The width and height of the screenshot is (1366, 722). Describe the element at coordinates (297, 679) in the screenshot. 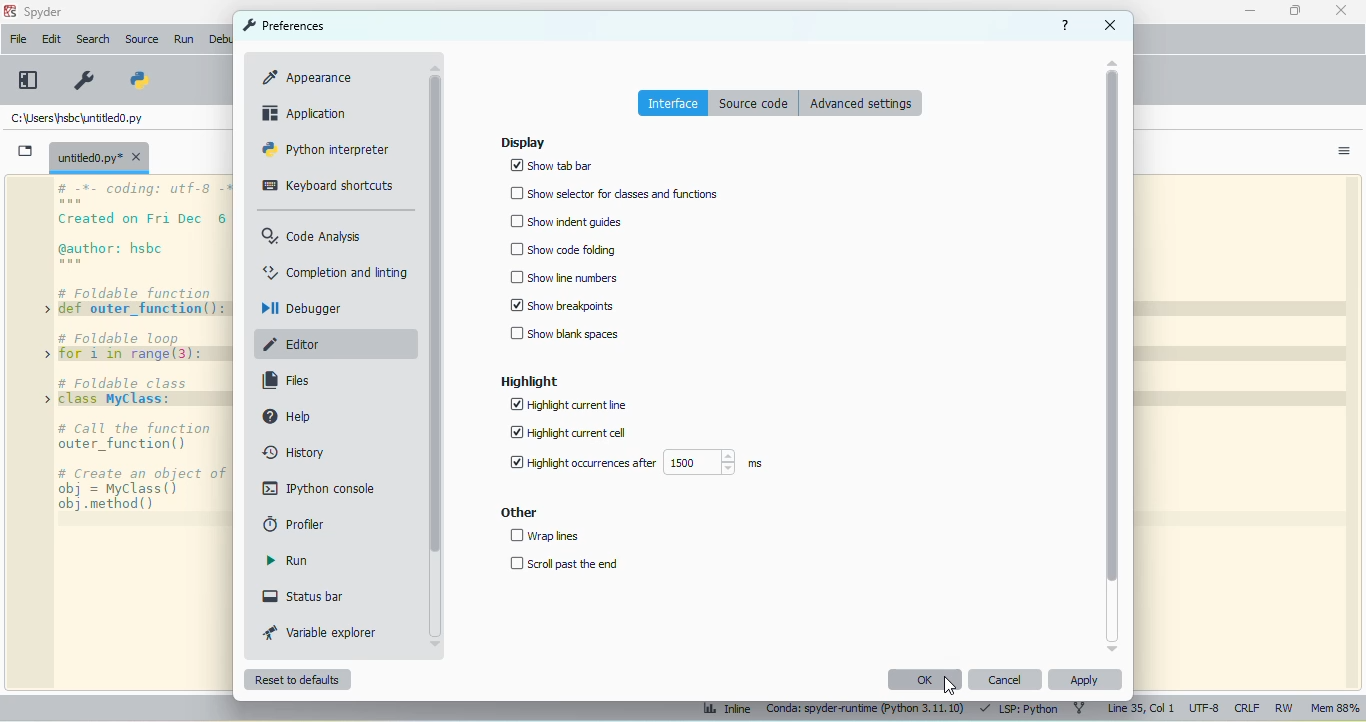

I see `reset to defaults` at that location.